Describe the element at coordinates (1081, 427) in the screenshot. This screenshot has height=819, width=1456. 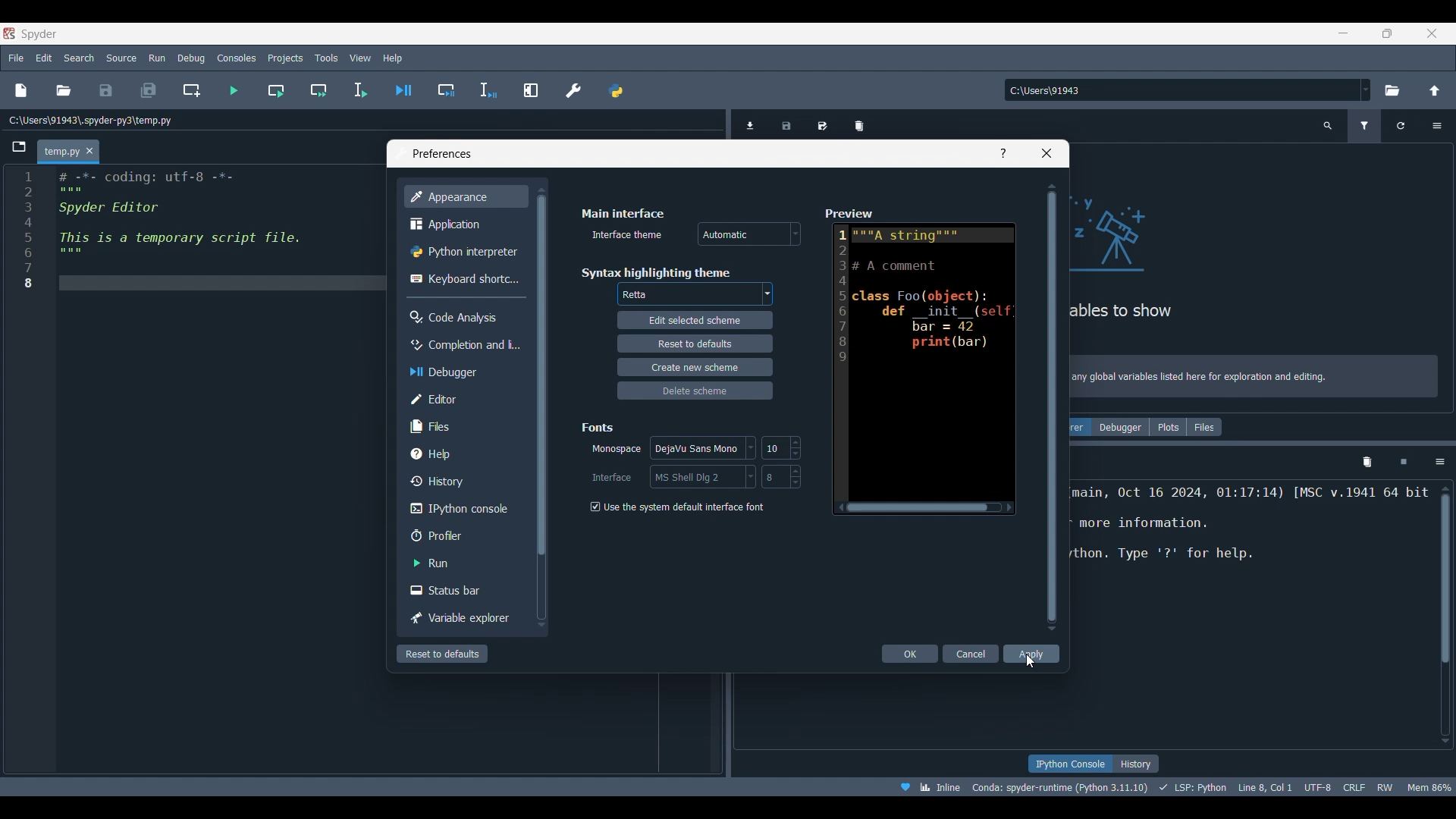
I see `Variable explorer, current selection highlighted` at that location.